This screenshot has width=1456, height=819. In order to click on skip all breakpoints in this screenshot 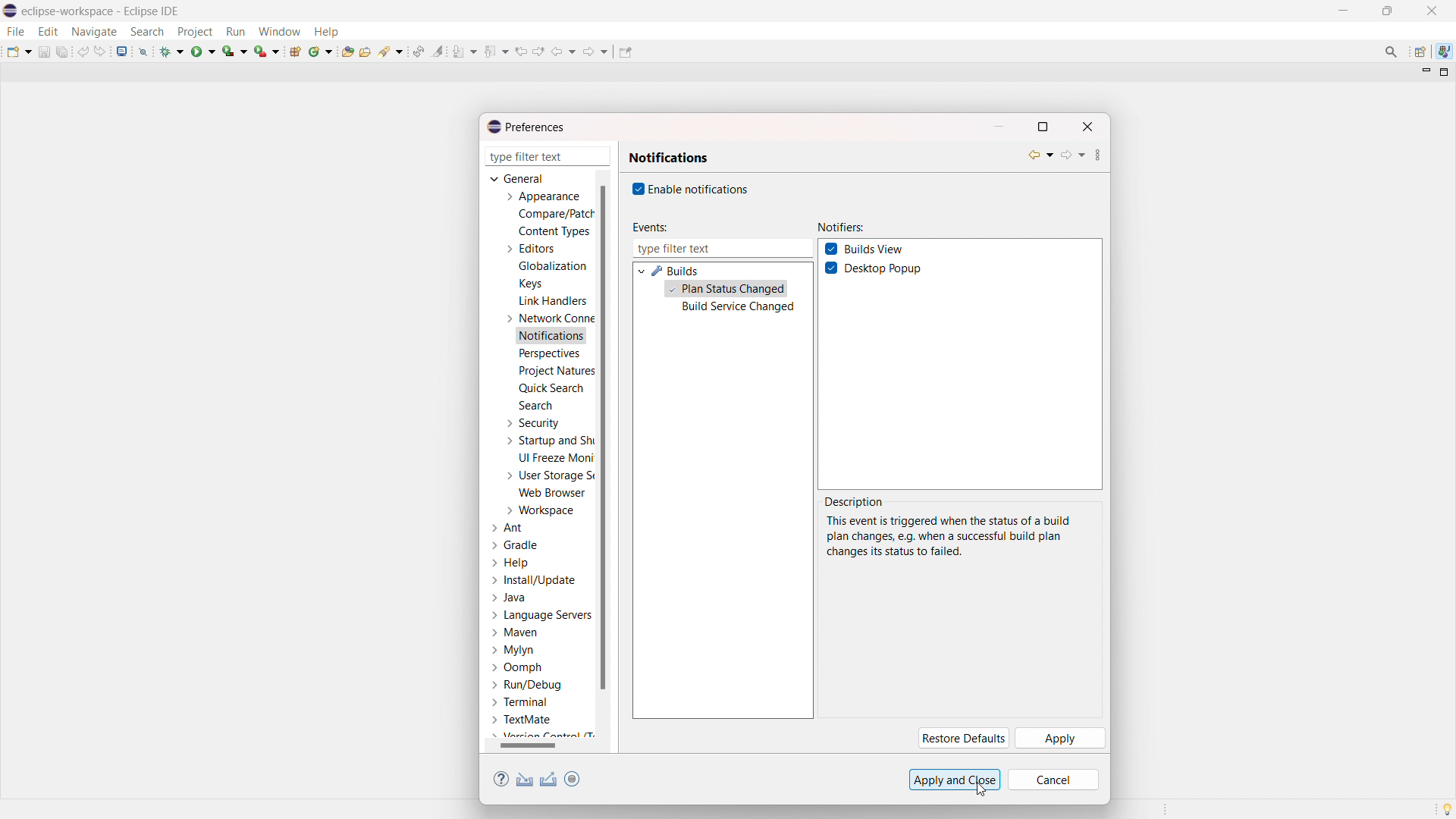, I will do `click(143, 51)`.